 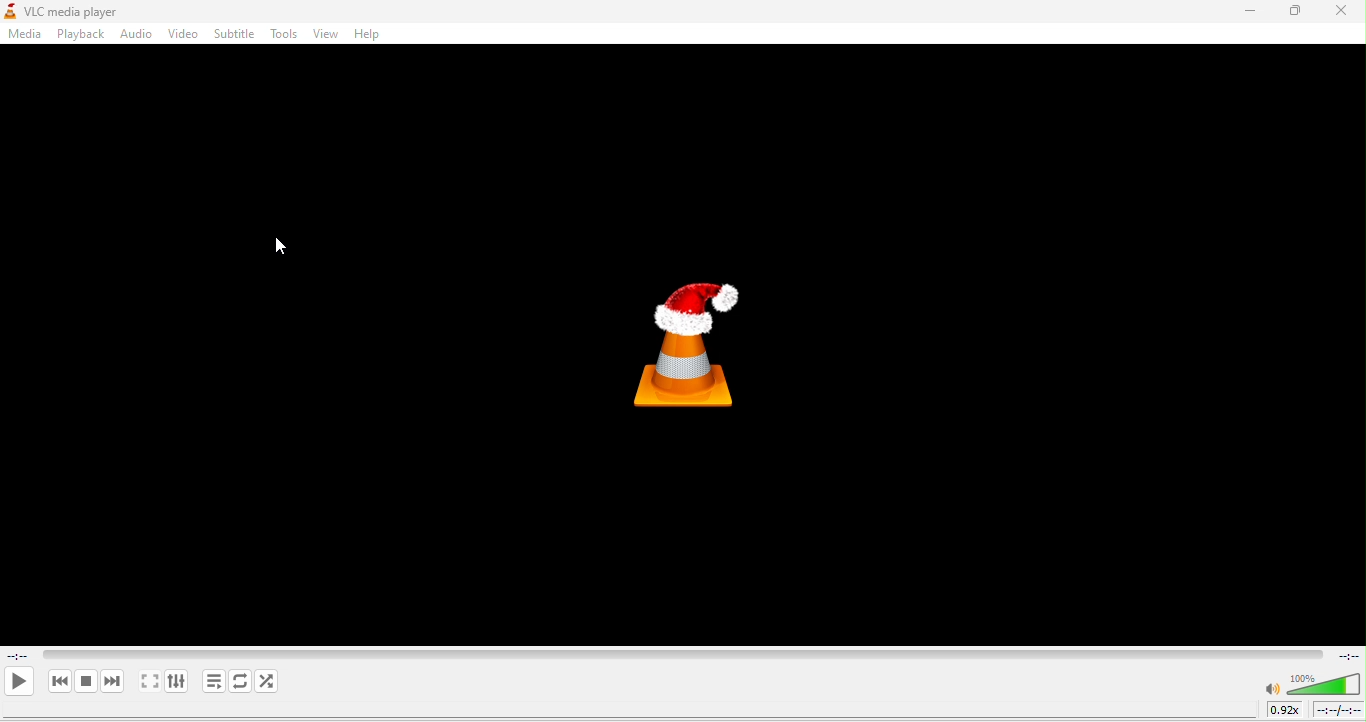 What do you see at coordinates (285, 33) in the screenshot?
I see `tools` at bounding box center [285, 33].